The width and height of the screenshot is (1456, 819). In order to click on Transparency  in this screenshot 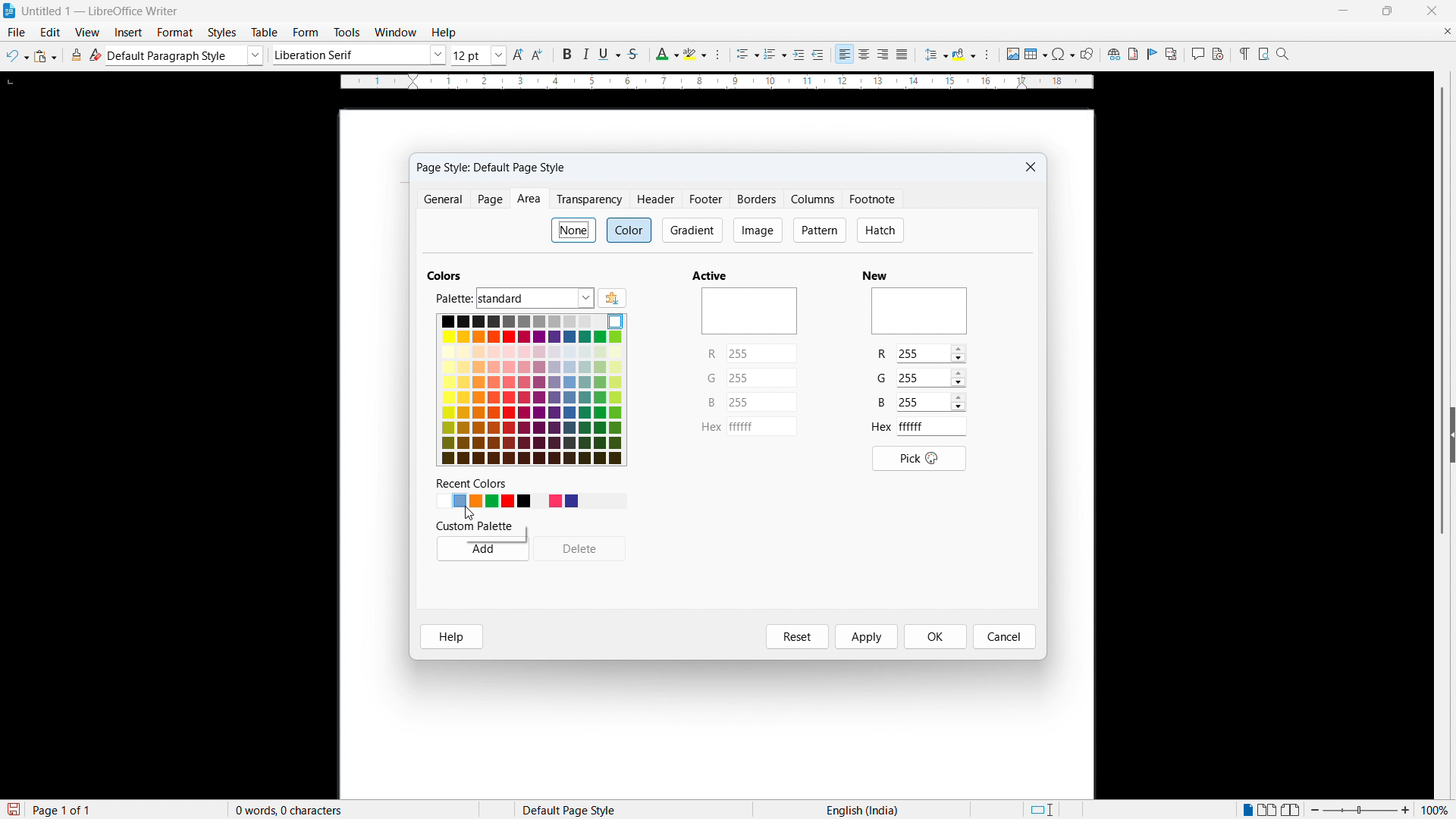, I will do `click(591, 199)`.